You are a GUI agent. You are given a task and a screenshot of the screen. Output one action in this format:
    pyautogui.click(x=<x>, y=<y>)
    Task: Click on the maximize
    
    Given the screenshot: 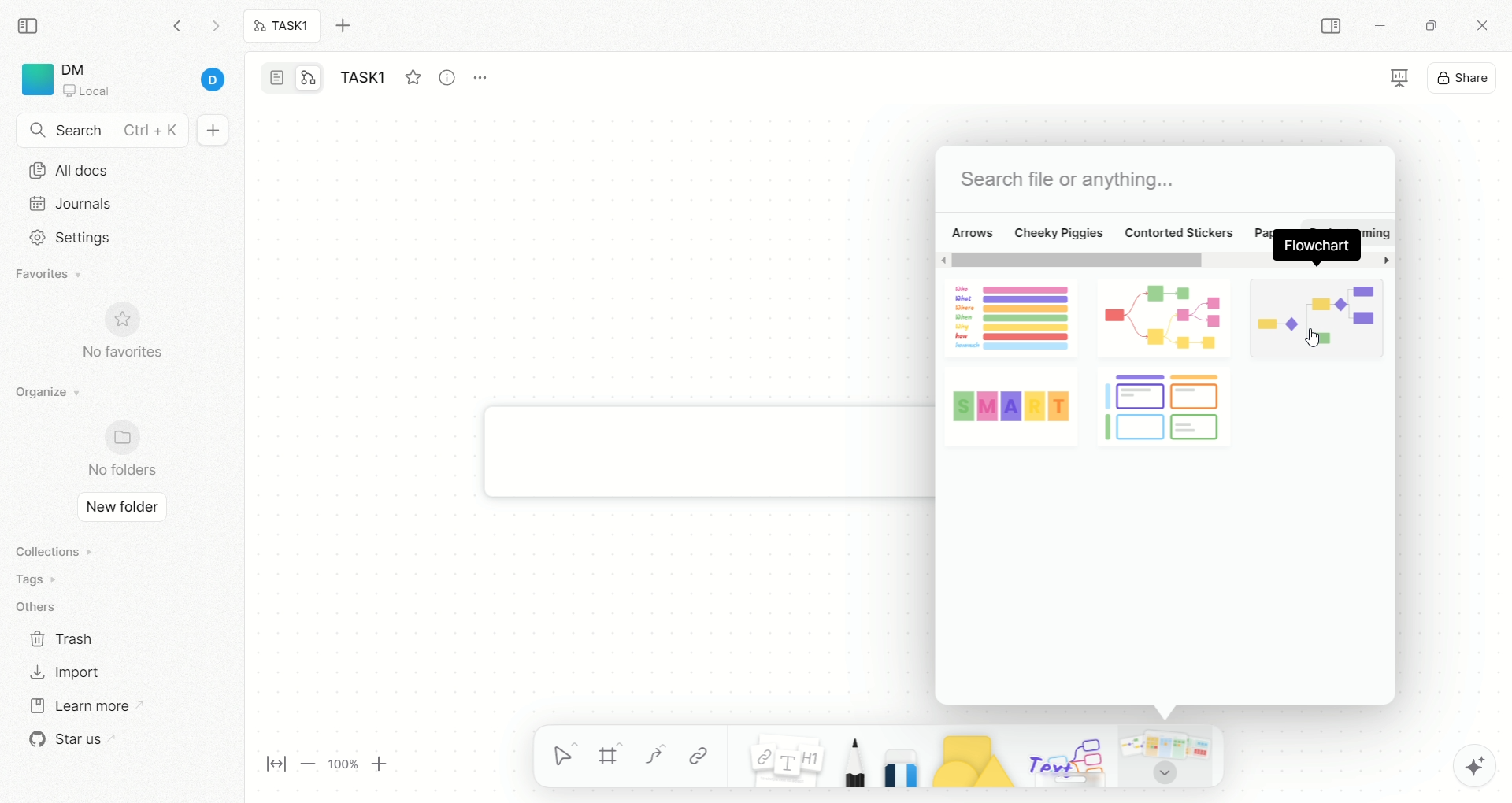 What is the action you would take?
    pyautogui.click(x=1426, y=24)
    